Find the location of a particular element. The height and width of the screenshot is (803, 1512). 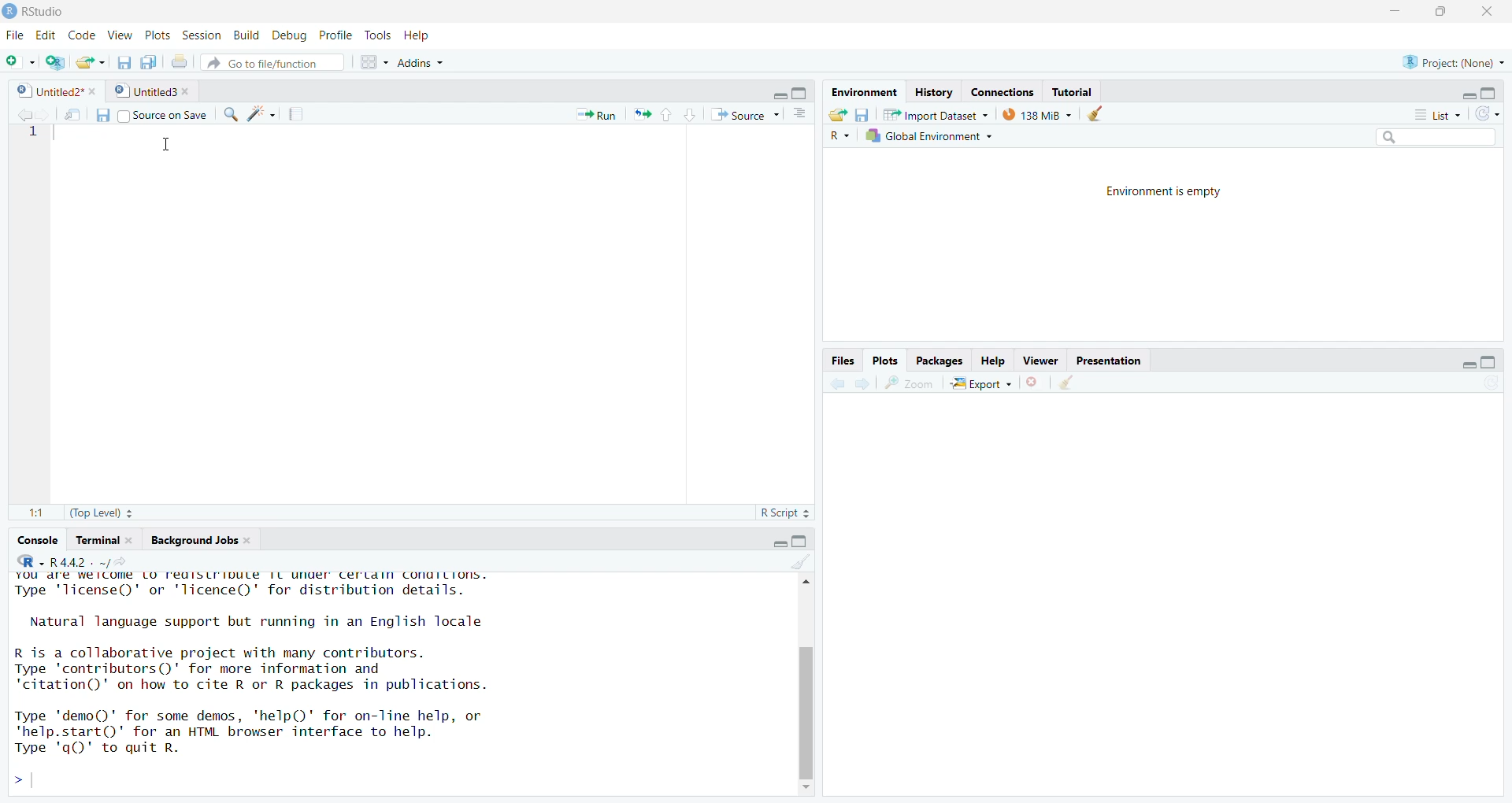

Untitled2 is located at coordinates (54, 91).